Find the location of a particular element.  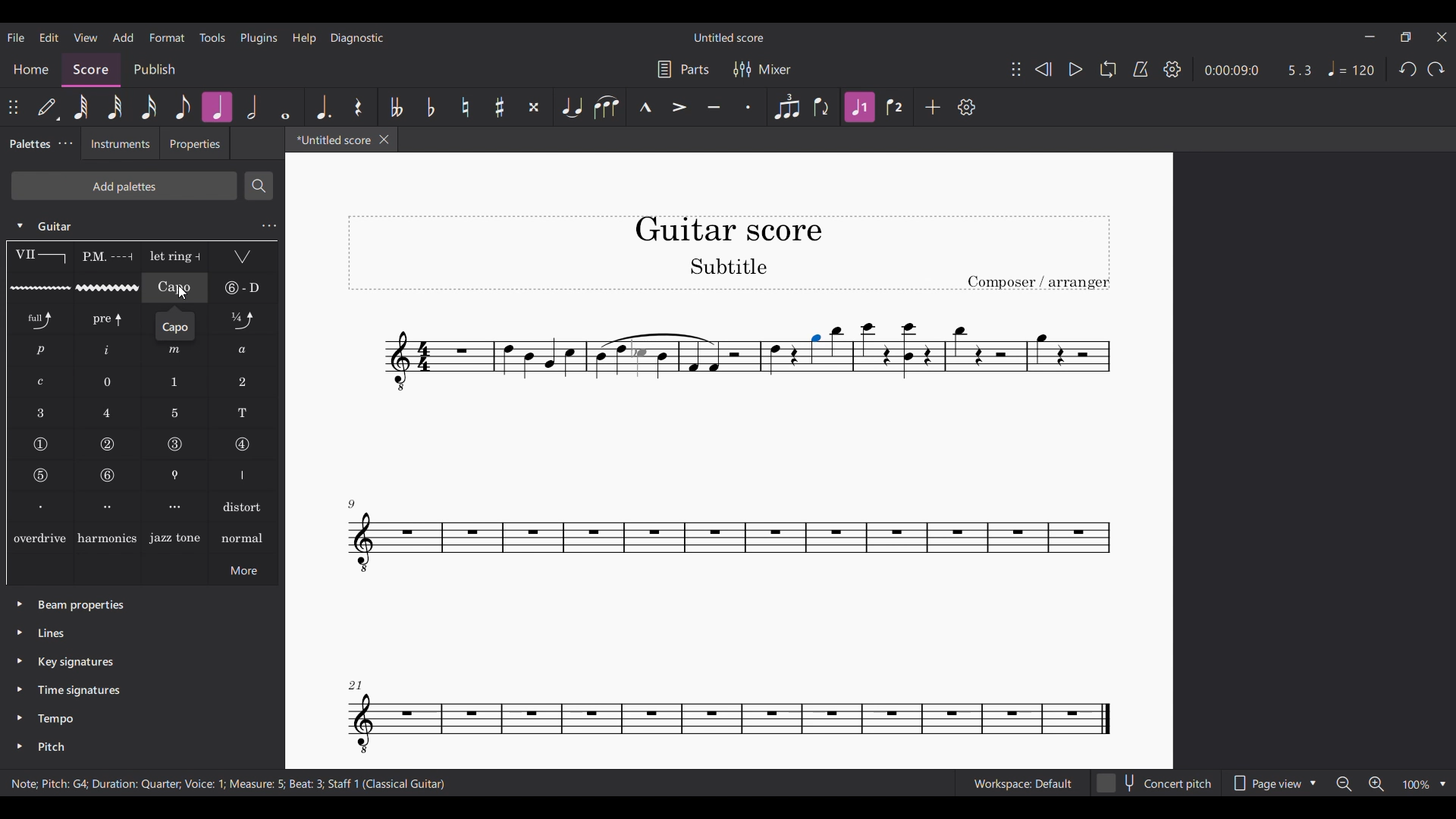

Help menu is located at coordinates (304, 39).